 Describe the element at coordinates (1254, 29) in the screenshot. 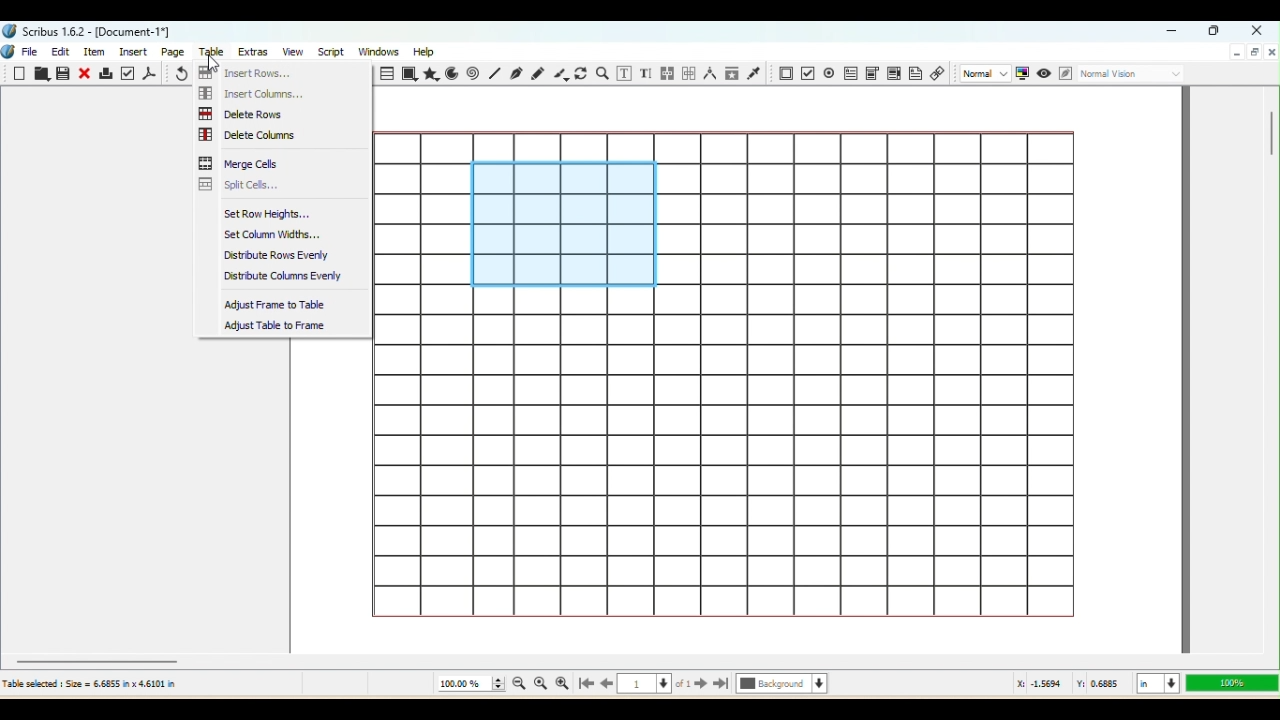

I see `Close` at that location.